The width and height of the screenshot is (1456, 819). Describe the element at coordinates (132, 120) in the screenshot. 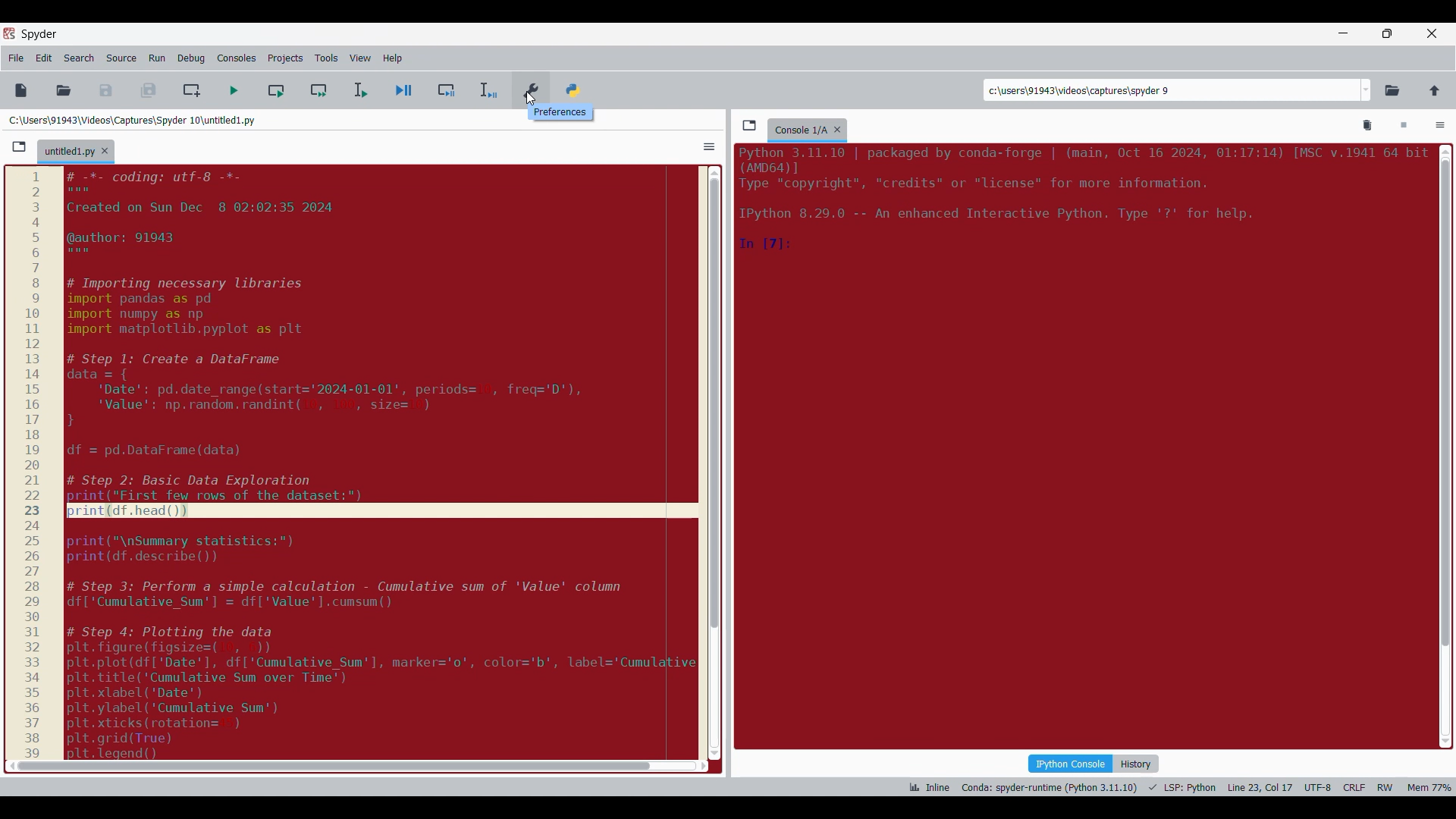

I see `File location` at that location.